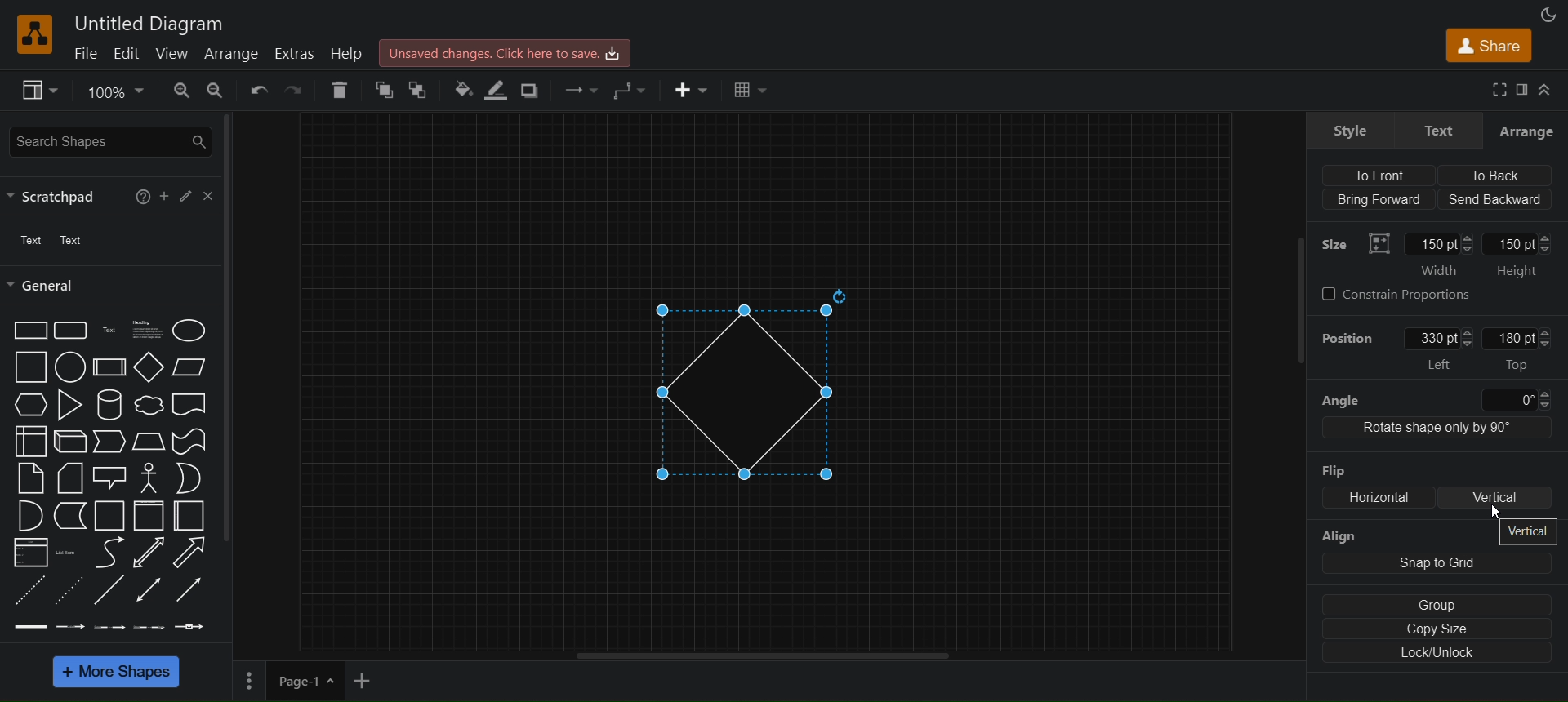  What do you see at coordinates (68, 477) in the screenshot?
I see `card` at bounding box center [68, 477].